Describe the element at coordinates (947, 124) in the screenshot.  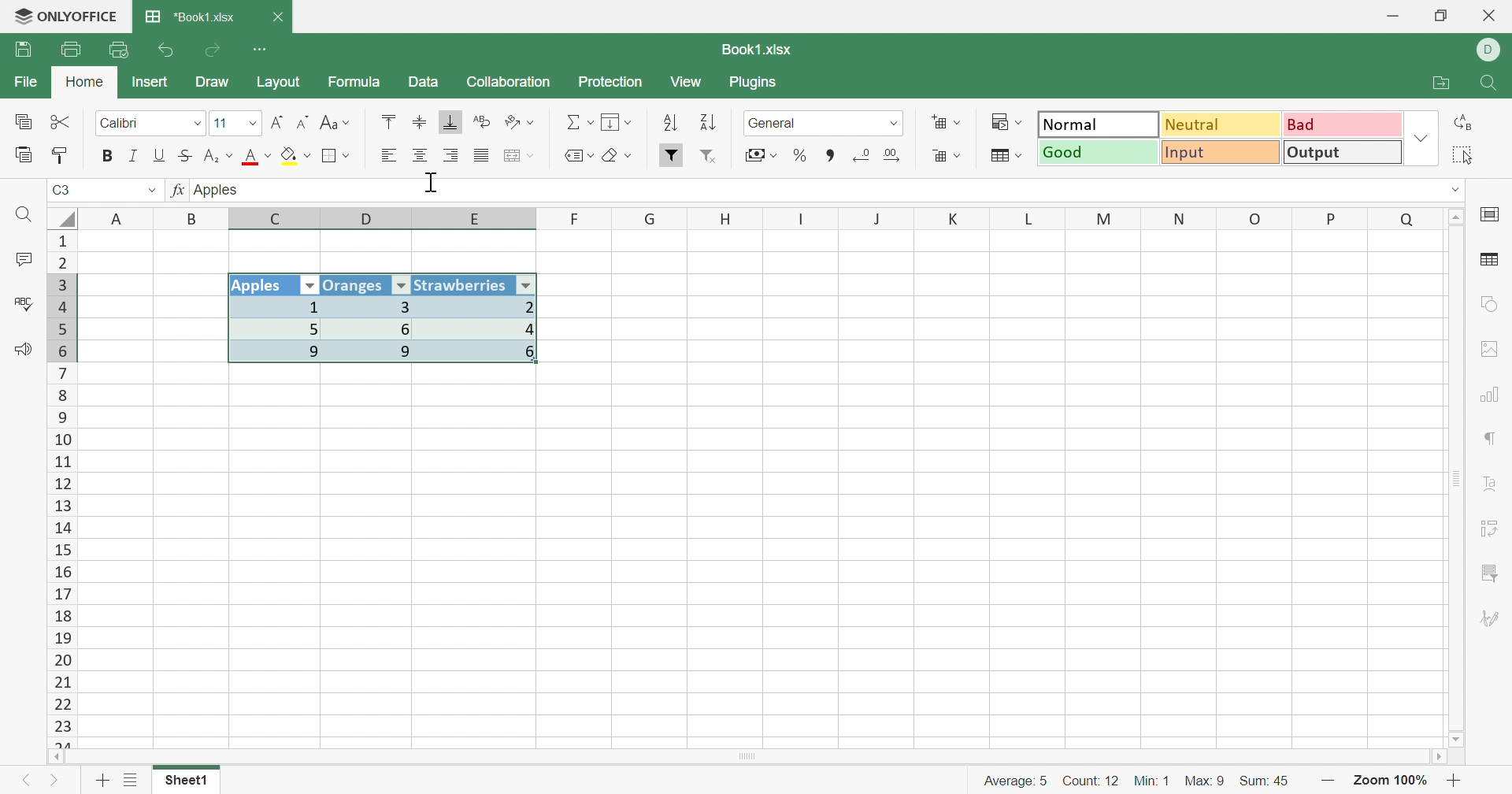
I see `Insert cells` at that location.